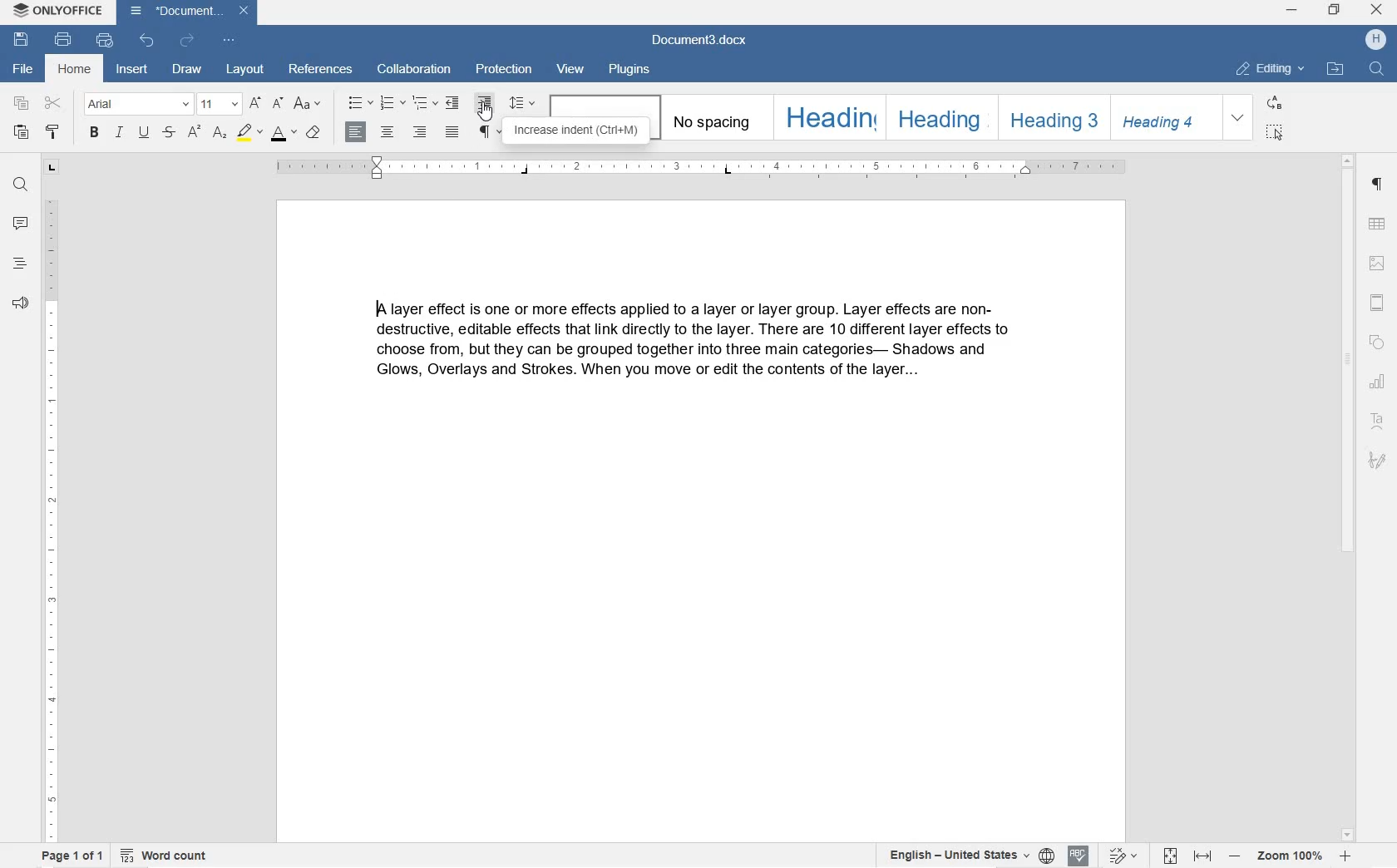 This screenshot has width=1397, height=868. What do you see at coordinates (359, 103) in the screenshot?
I see `BULLETS` at bounding box center [359, 103].